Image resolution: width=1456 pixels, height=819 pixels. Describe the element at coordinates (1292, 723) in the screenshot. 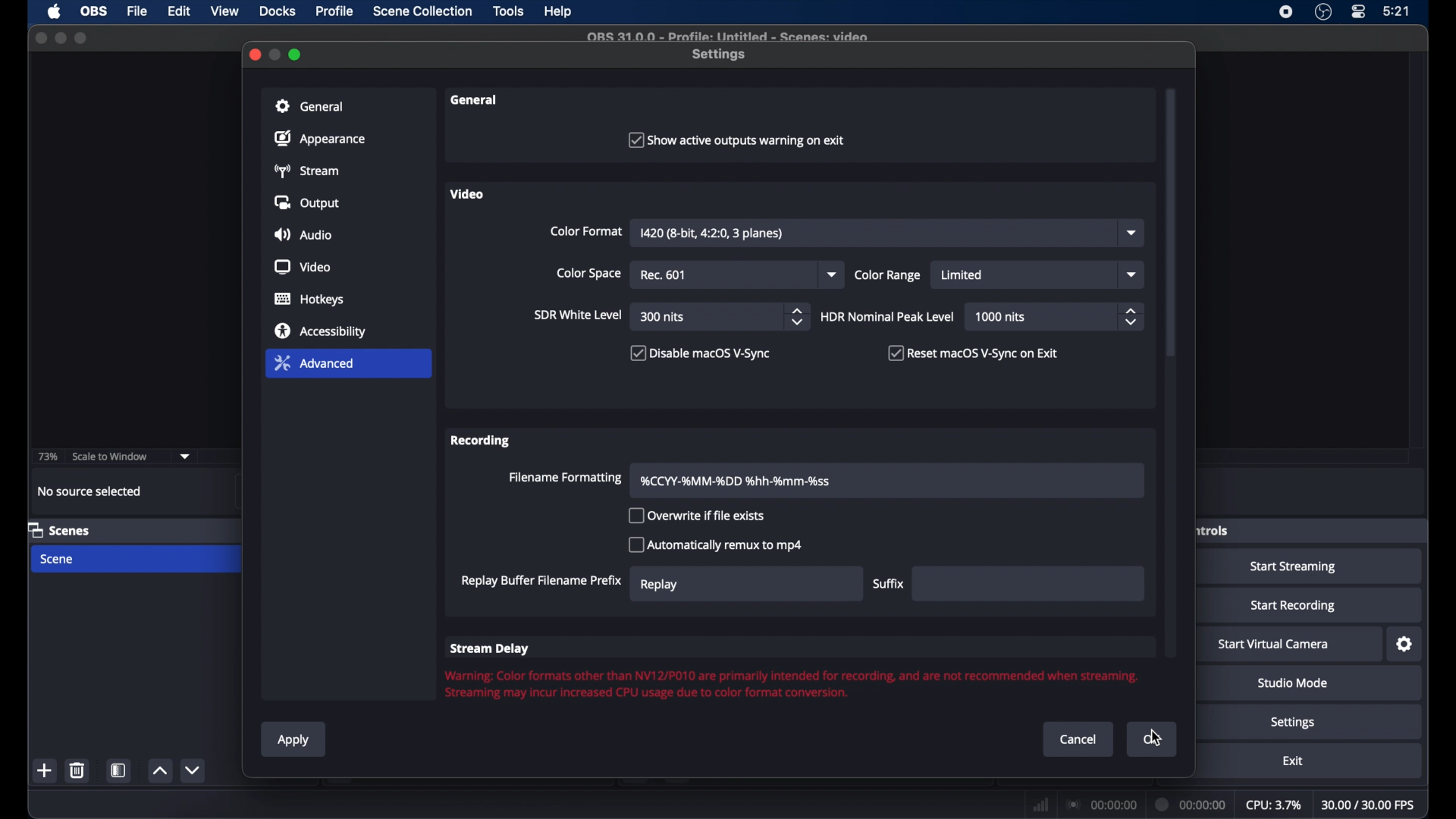

I see `settings` at that location.